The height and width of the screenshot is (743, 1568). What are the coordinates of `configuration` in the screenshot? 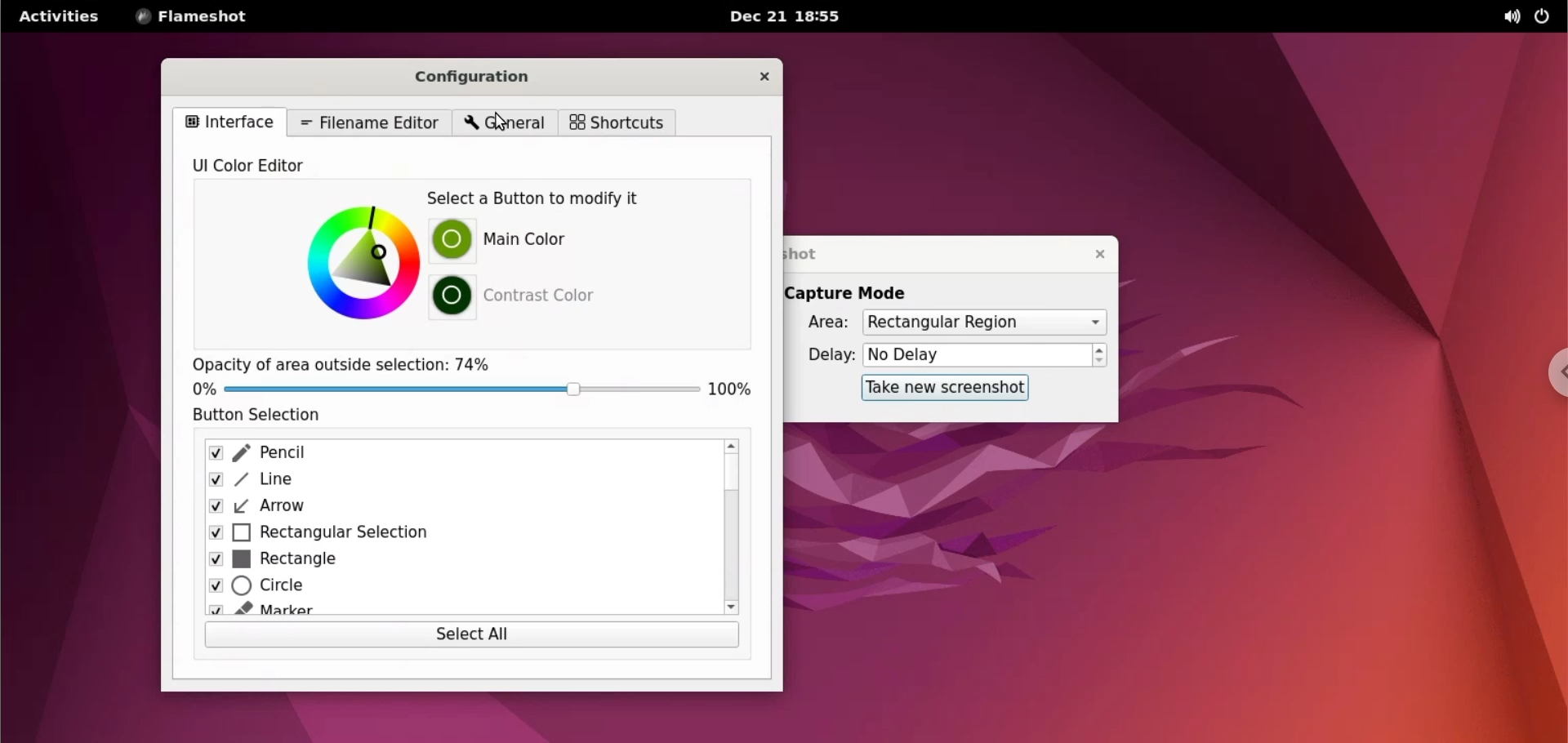 It's located at (481, 77).